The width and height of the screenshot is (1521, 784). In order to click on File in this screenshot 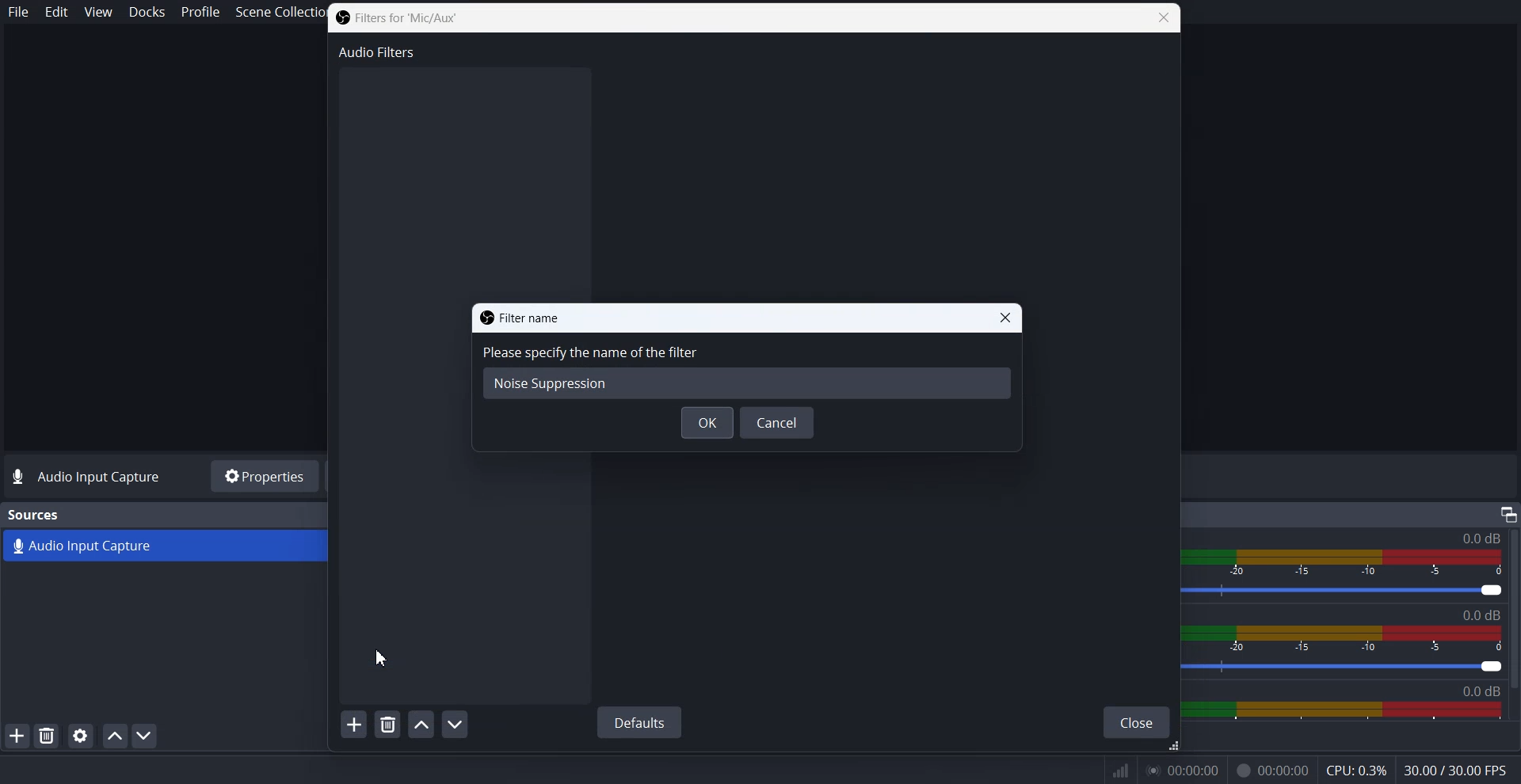, I will do `click(19, 12)`.